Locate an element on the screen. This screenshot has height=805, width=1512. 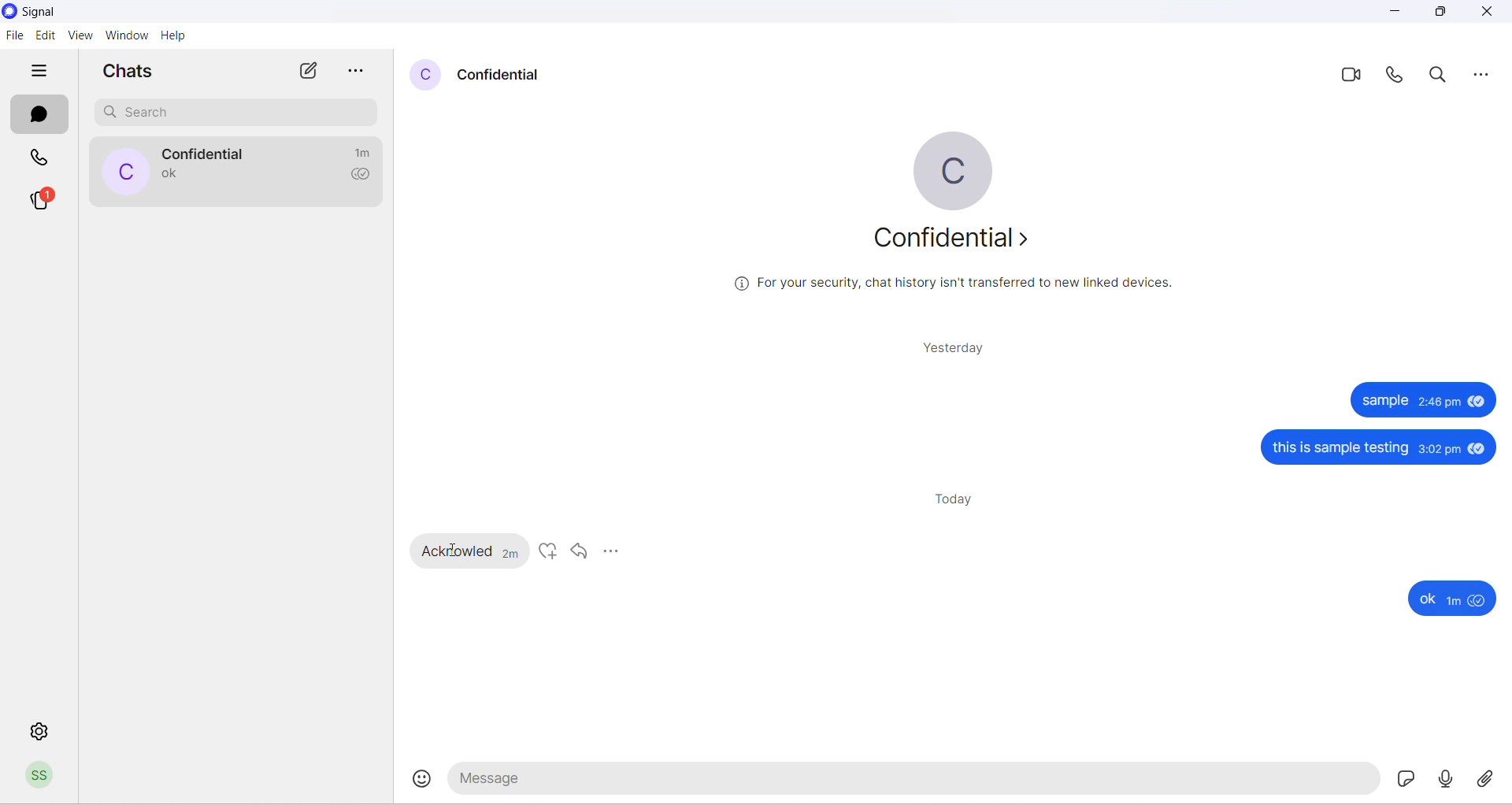
emojis is located at coordinates (417, 781).